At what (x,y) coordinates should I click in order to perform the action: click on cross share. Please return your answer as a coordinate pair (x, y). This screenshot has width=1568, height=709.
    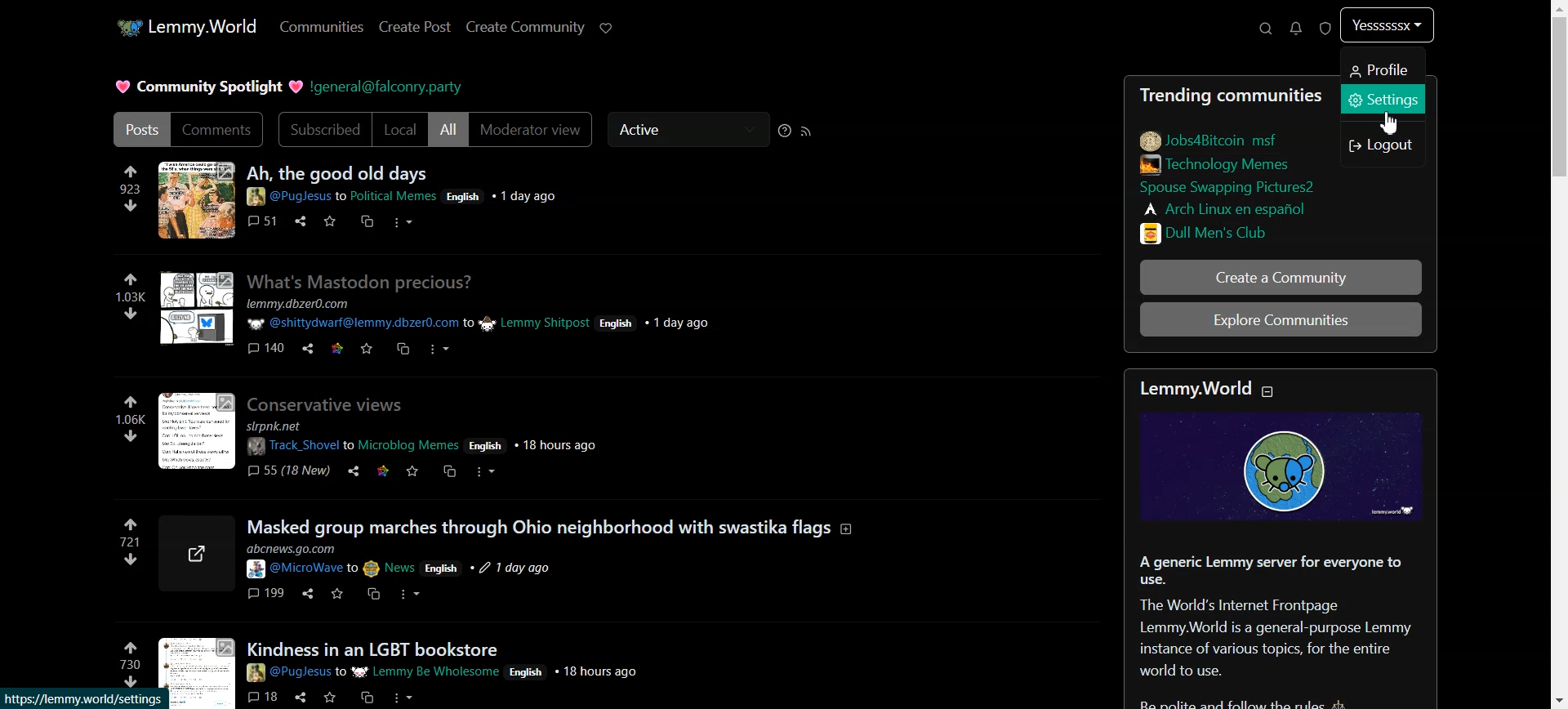
    Looking at the image, I should click on (402, 347).